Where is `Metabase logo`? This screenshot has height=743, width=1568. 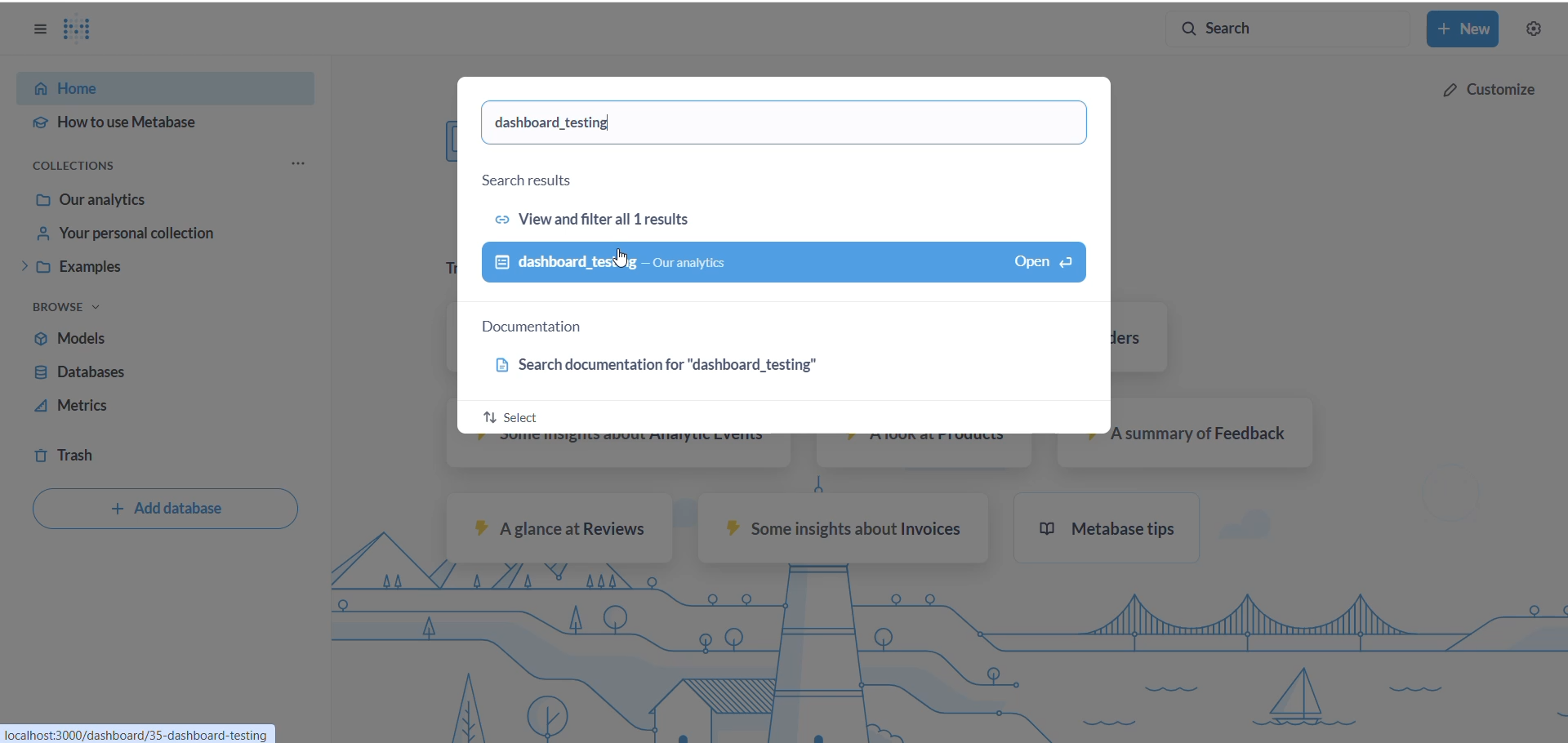 Metabase logo is located at coordinates (87, 29).